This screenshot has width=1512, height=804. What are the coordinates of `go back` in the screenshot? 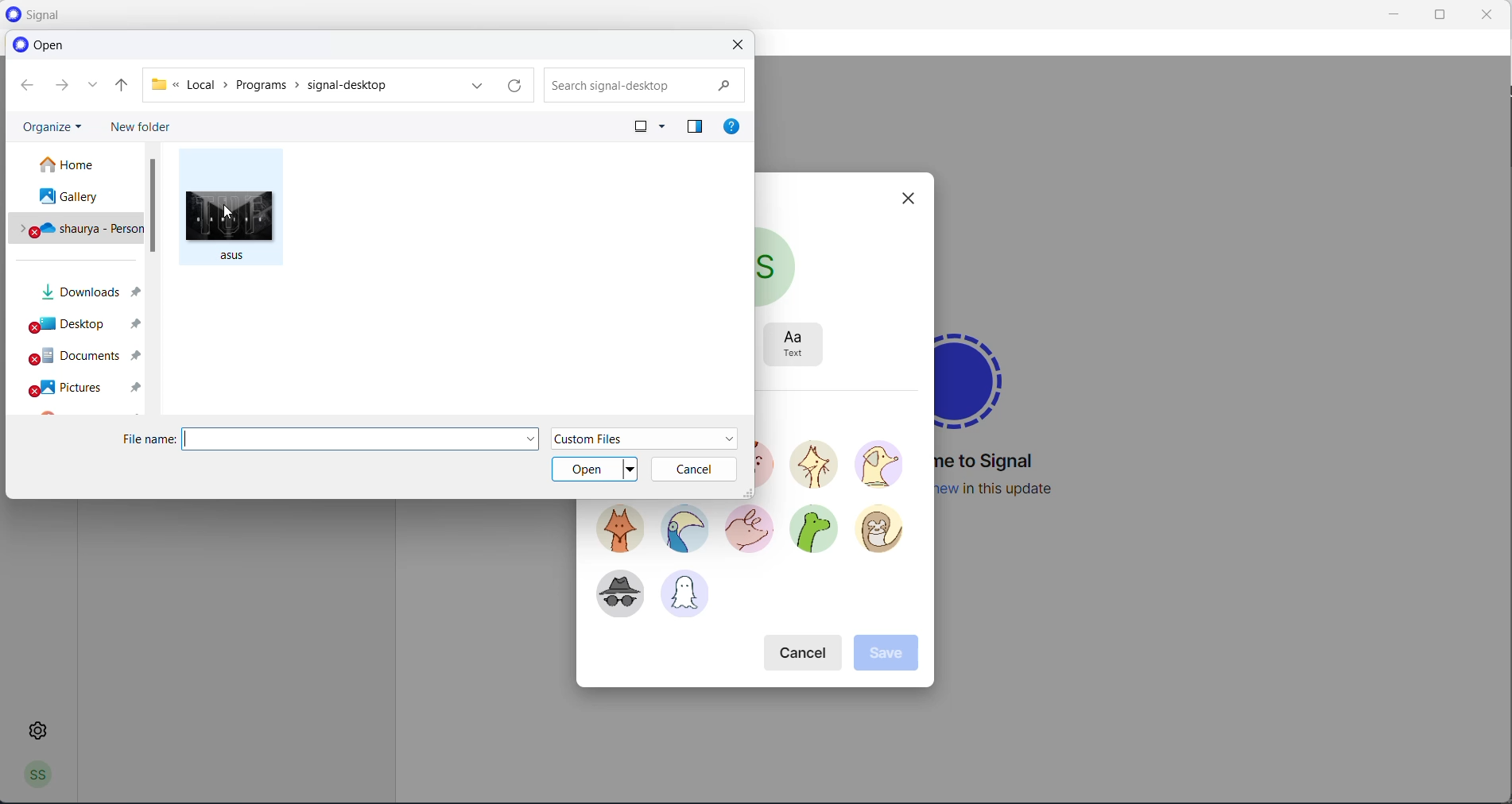 It's located at (27, 87).